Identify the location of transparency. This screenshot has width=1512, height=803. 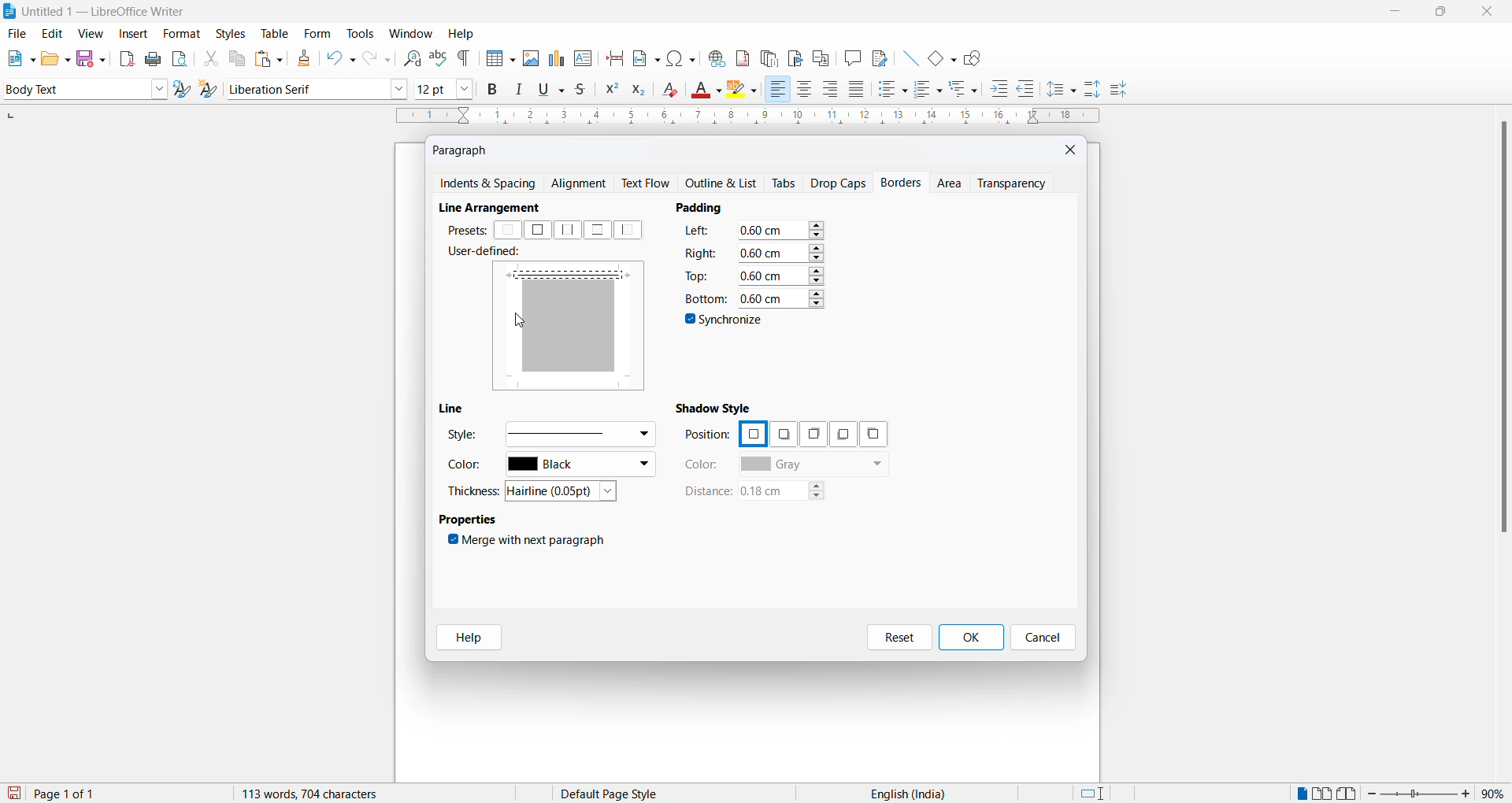
(1017, 183).